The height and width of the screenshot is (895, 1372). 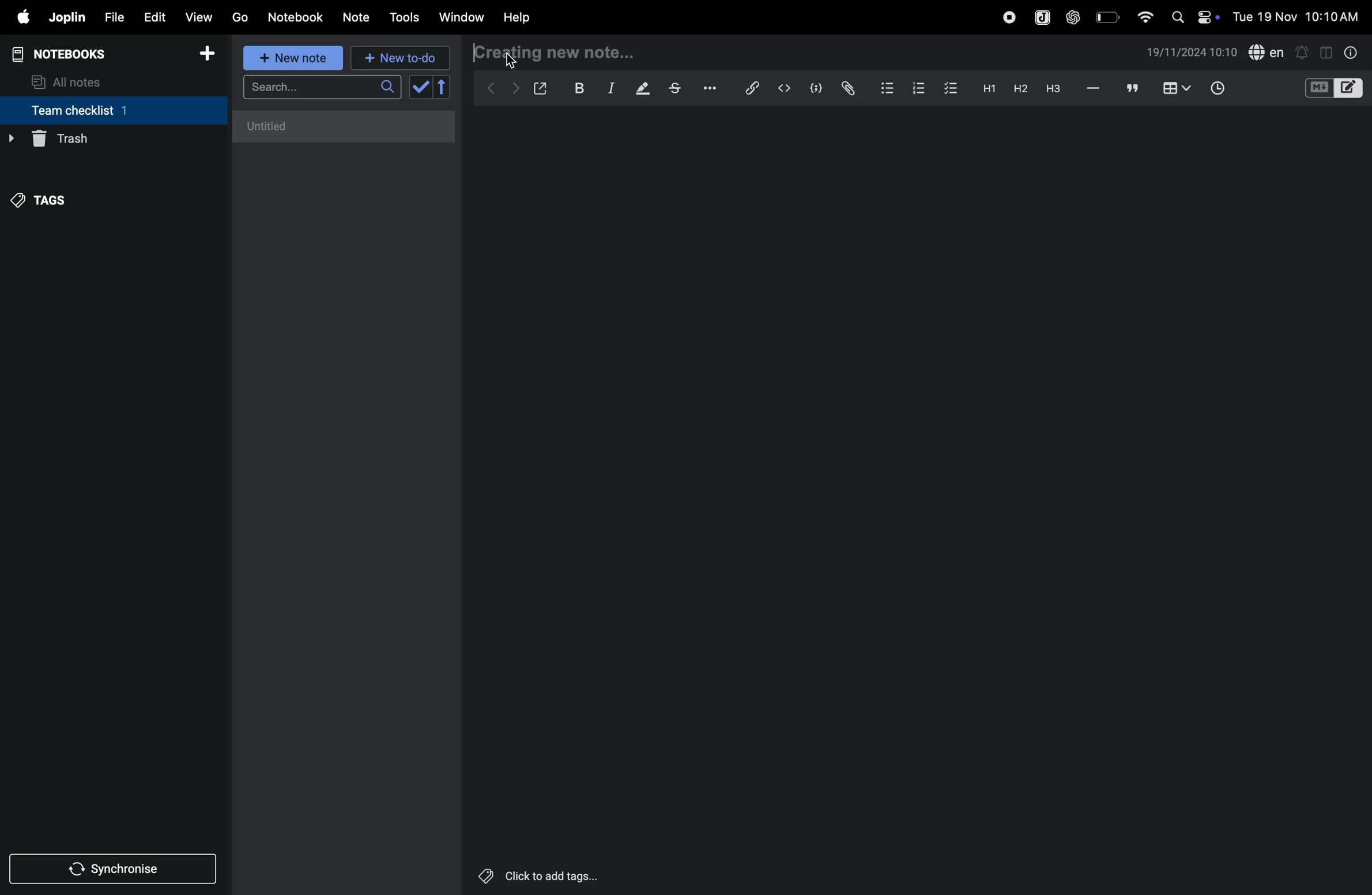 What do you see at coordinates (1053, 88) in the screenshot?
I see `heading 3` at bounding box center [1053, 88].